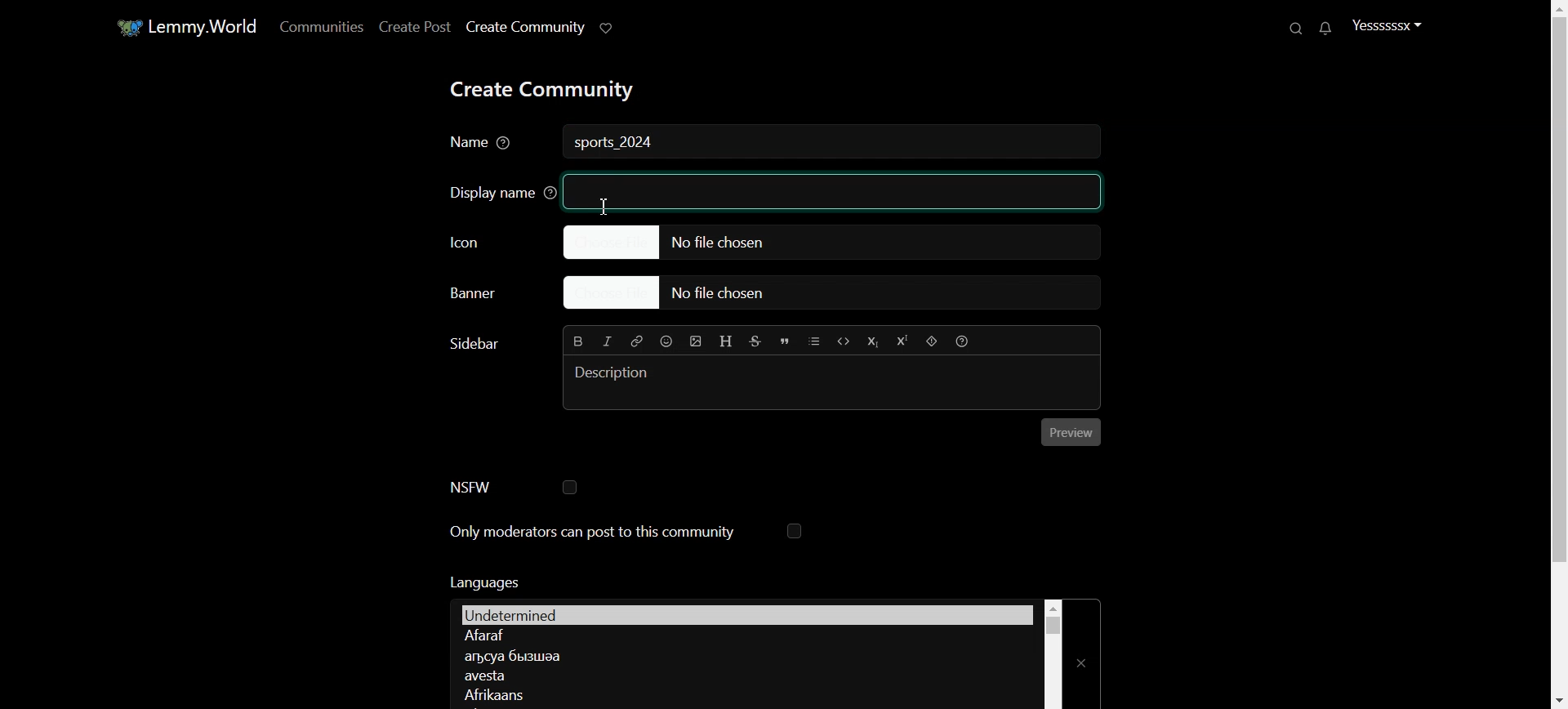 The image size is (1568, 709). I want to click on Emoji, so click(667, 341).